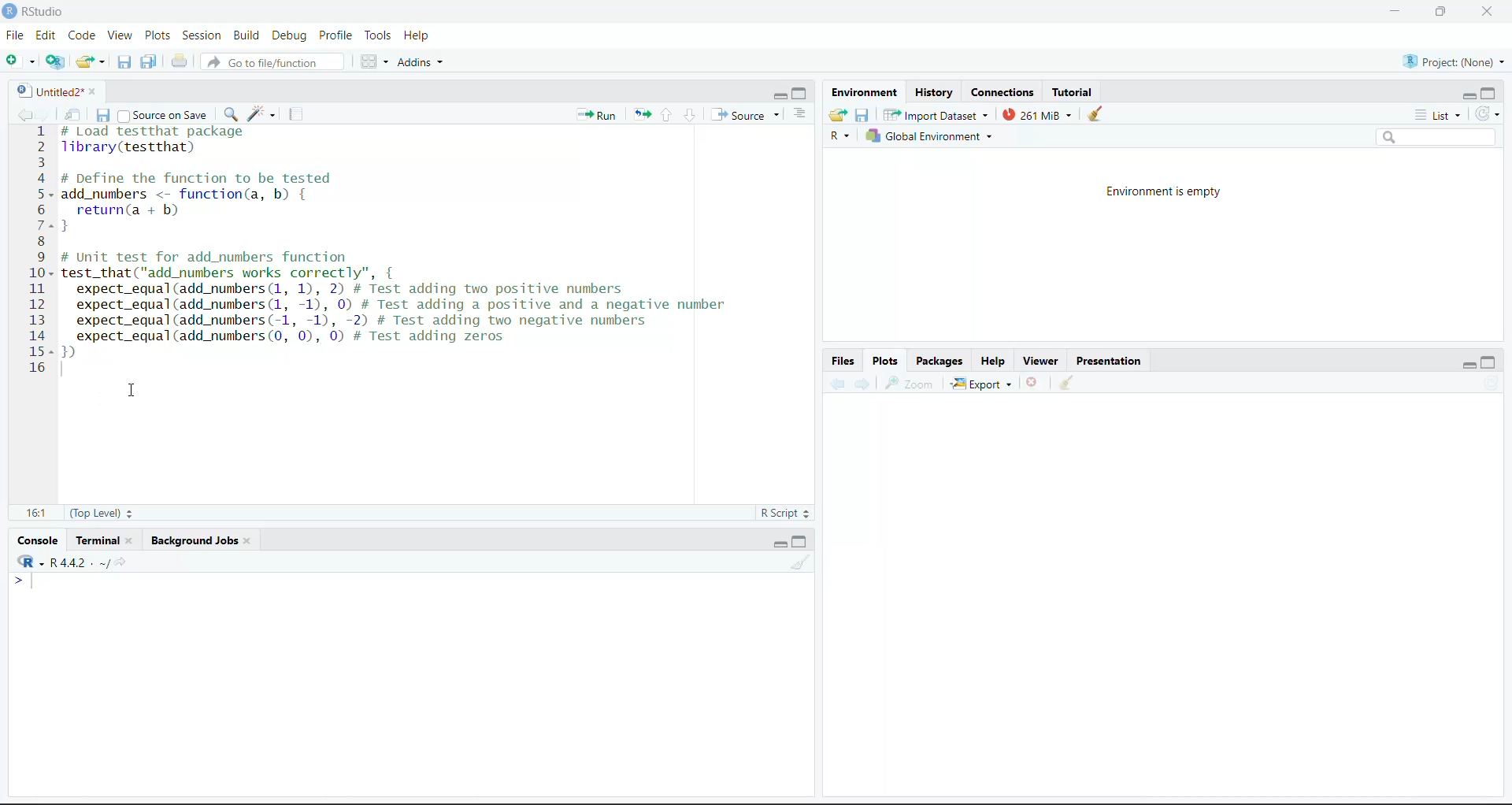 This screenshot has height=805, width=1512. Describe the element at coordinates (1098, 115) in the screenshot. I see `clear console` at that location.